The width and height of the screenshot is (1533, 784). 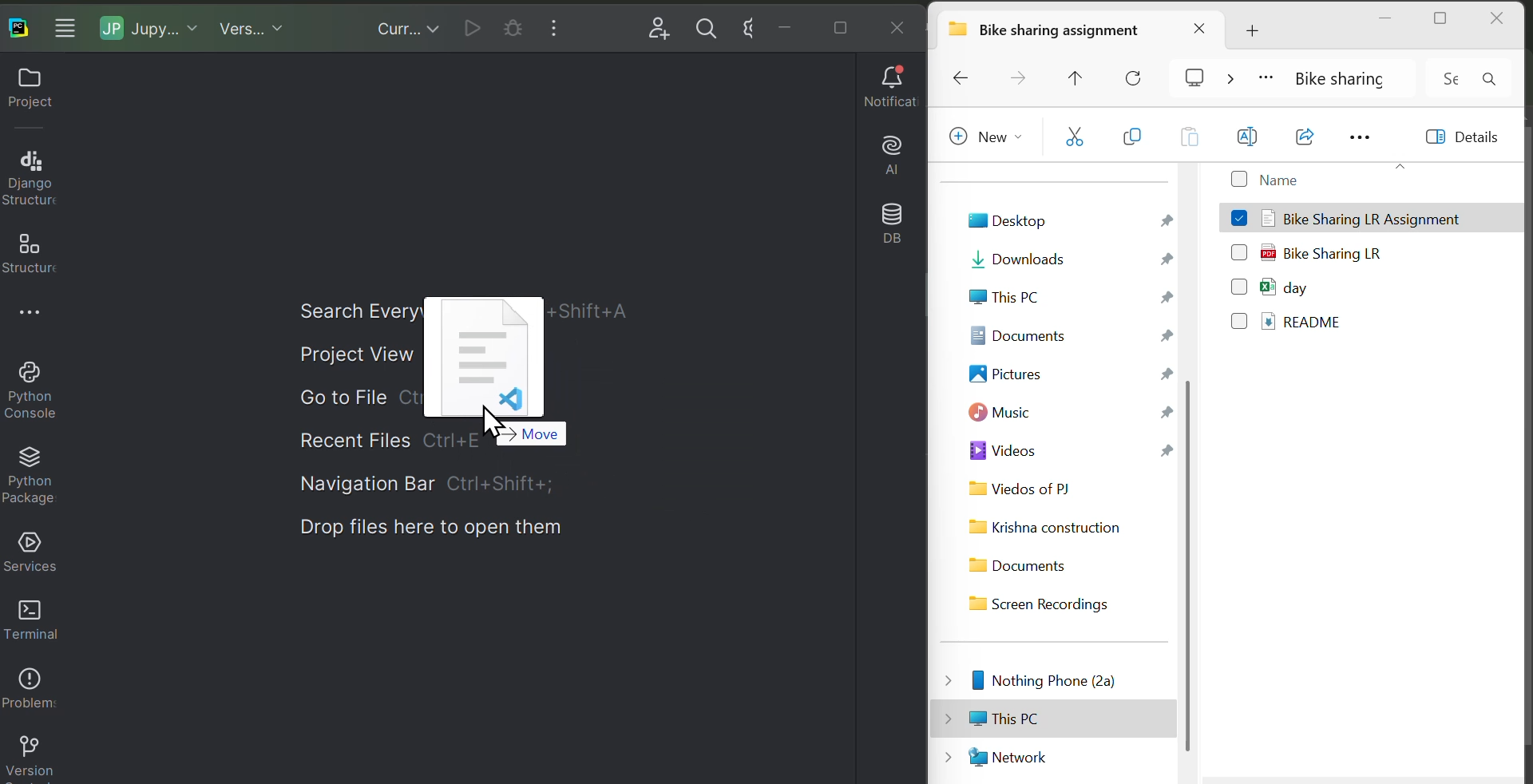 What do you see at coordinates (1083, 77) in the screenshot?
I see `Move up` at bounding box center [1083, 77].